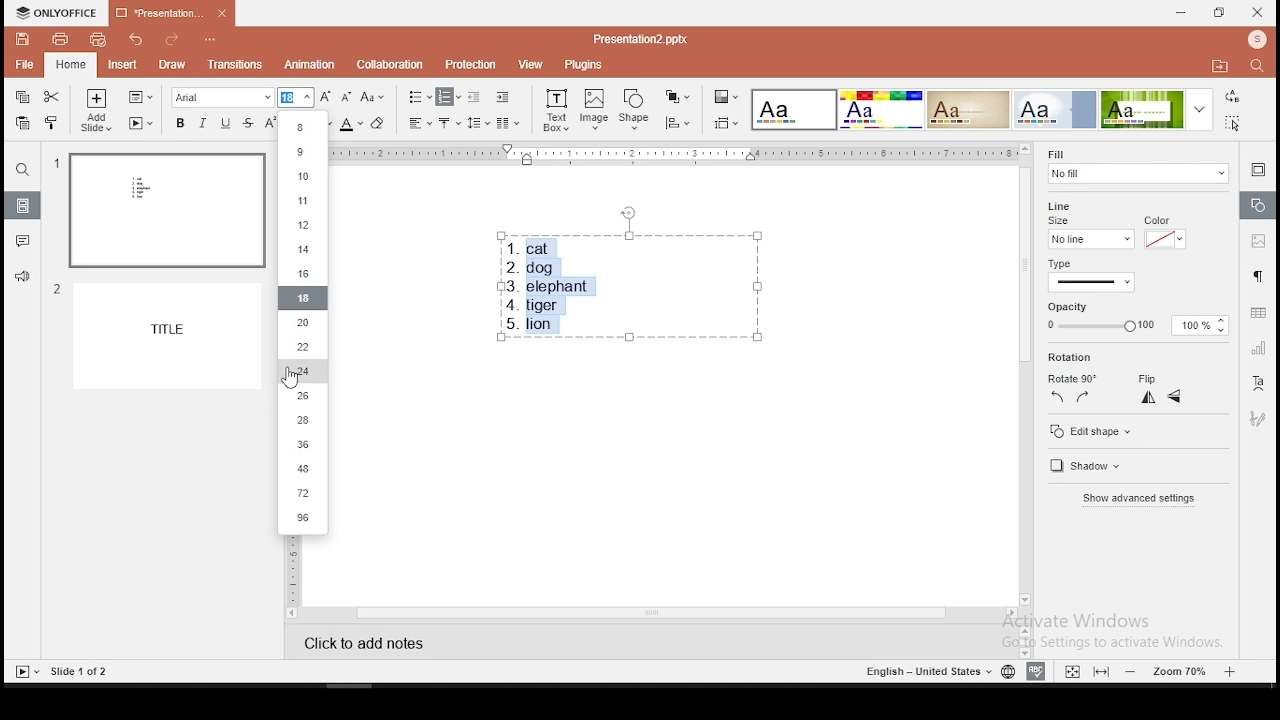 This screenshot has height=720, width=1280. I want to click on change slide layout, so click(140, 96).